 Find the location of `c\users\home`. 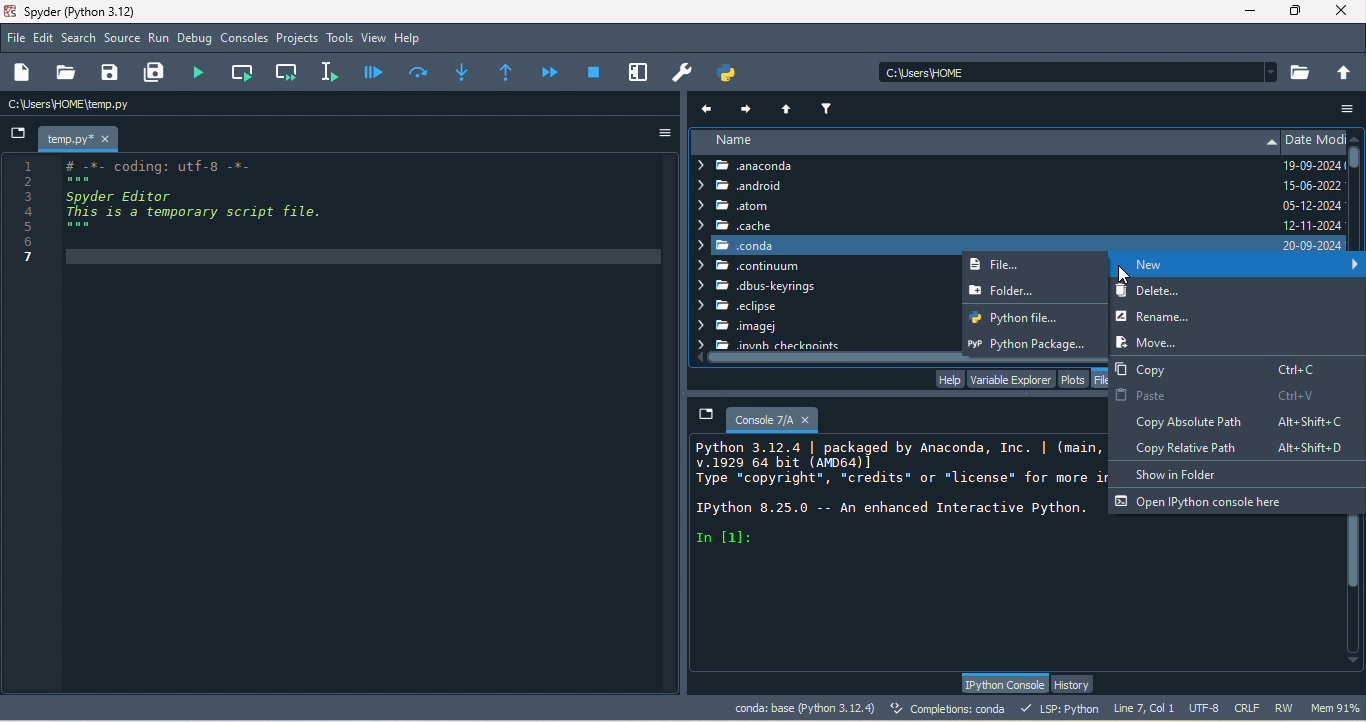

c\users\home is located at coordinates (1078, 71).